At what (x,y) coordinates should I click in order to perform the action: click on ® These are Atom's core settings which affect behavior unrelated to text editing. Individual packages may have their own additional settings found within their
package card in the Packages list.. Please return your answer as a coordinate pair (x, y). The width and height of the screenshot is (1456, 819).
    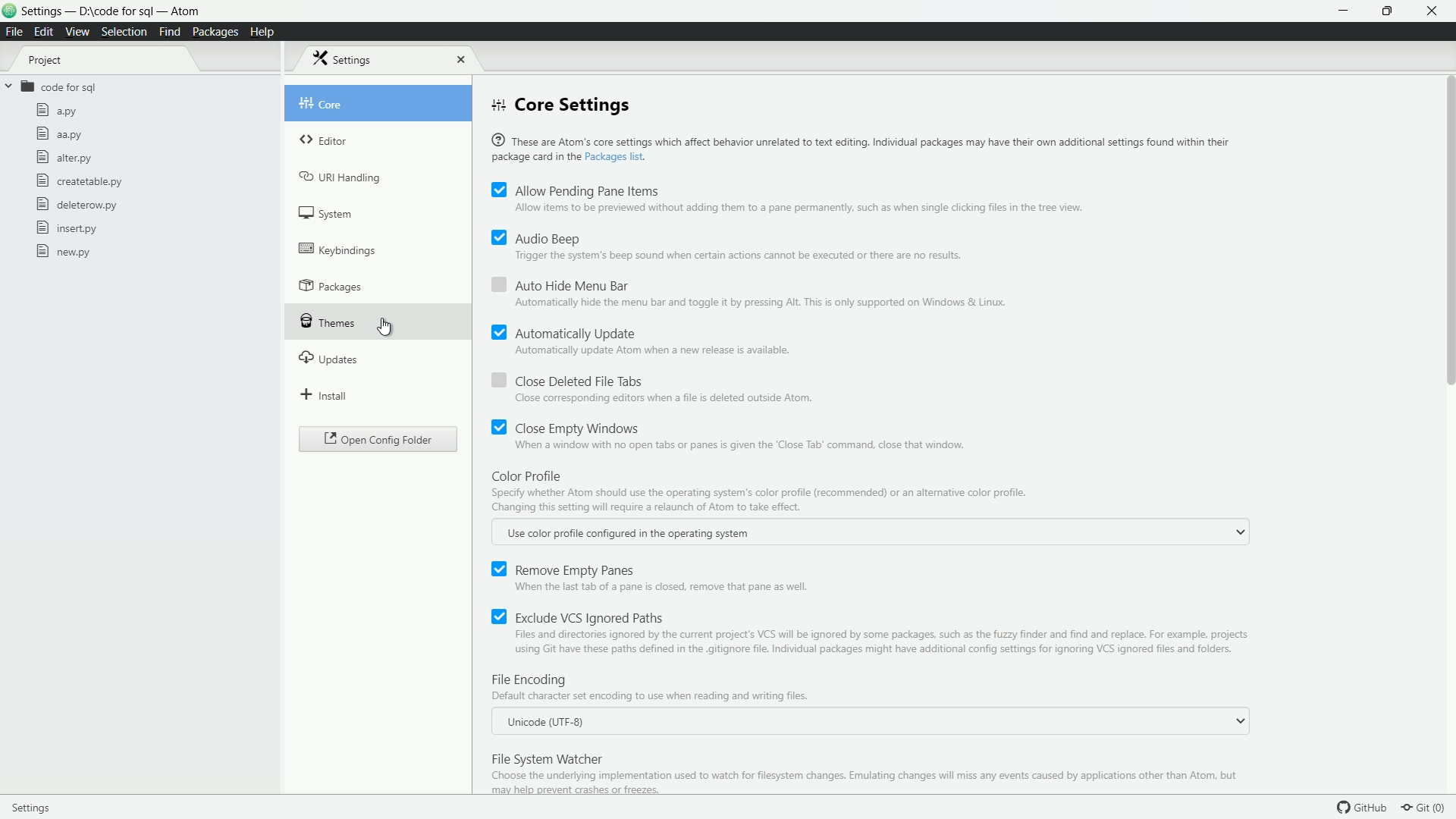
    Looking at the image, I should click on (861, 147).